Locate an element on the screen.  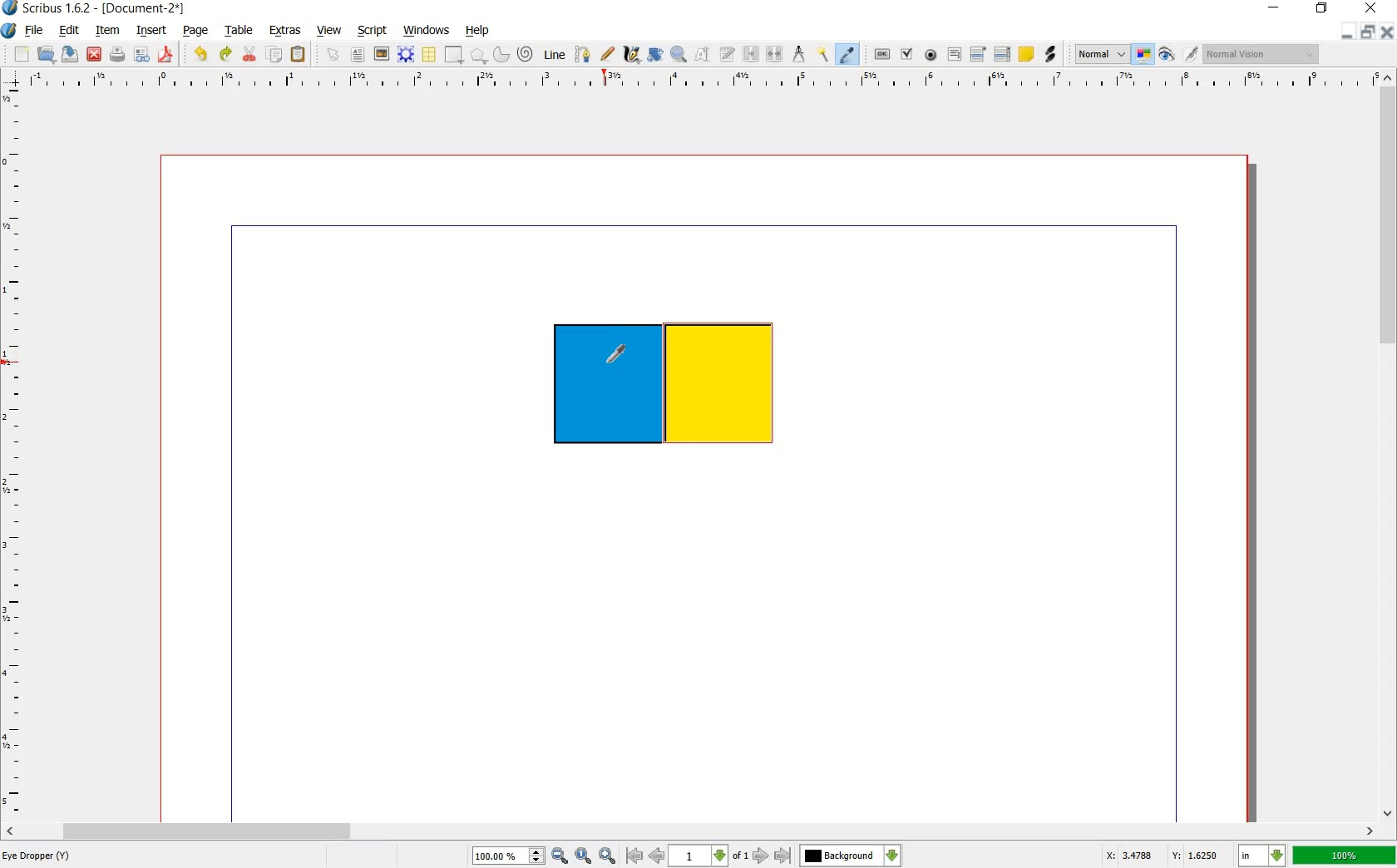
toggle color management system is located at coordinates (1143, 54).